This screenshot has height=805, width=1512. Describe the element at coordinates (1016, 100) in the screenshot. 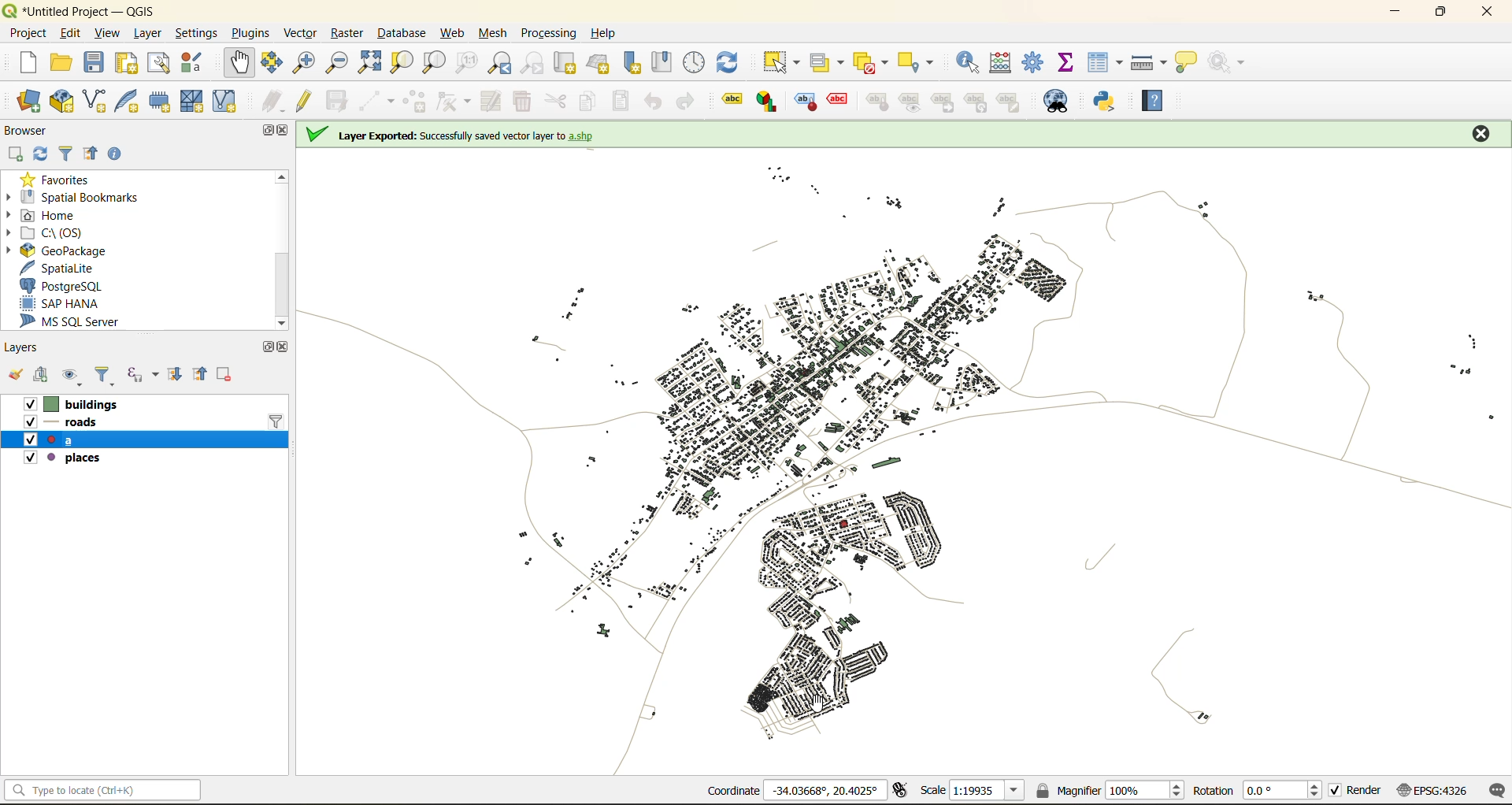

I see `label tools` at that location.